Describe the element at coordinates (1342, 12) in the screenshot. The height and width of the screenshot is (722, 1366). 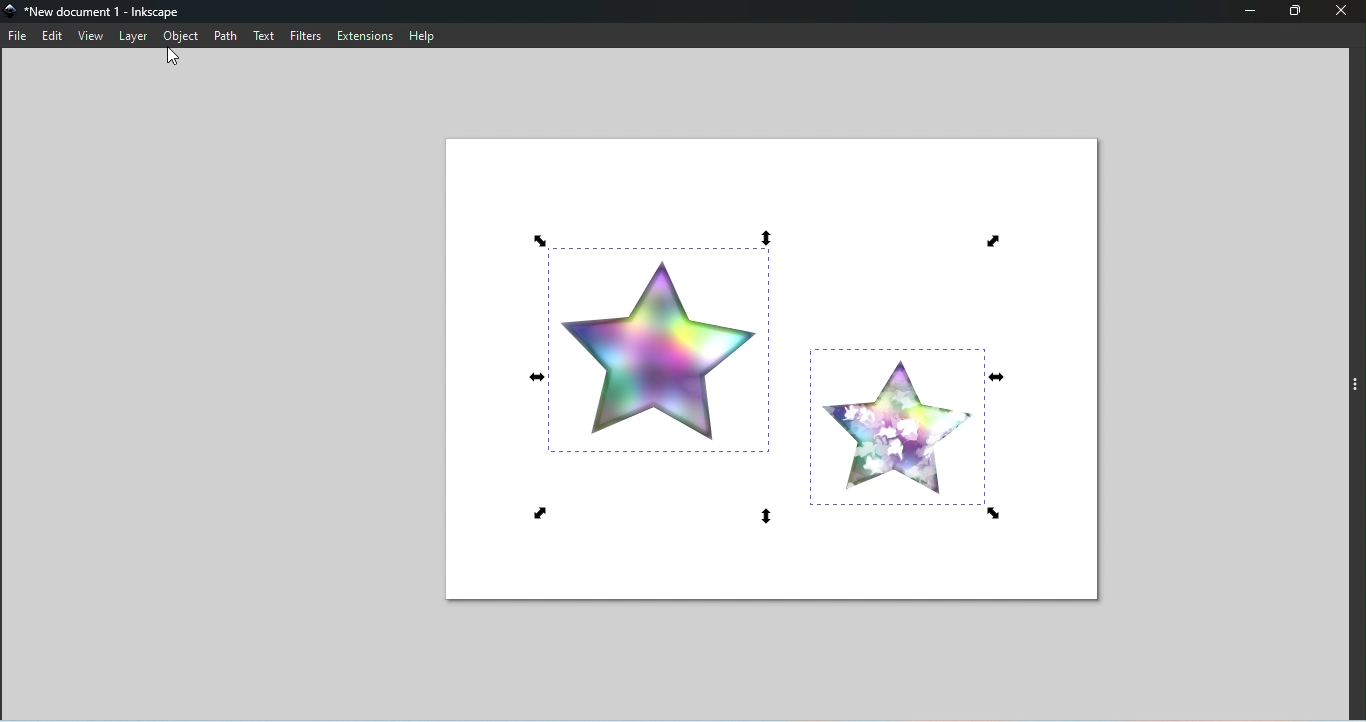
I see `Close` at that location.